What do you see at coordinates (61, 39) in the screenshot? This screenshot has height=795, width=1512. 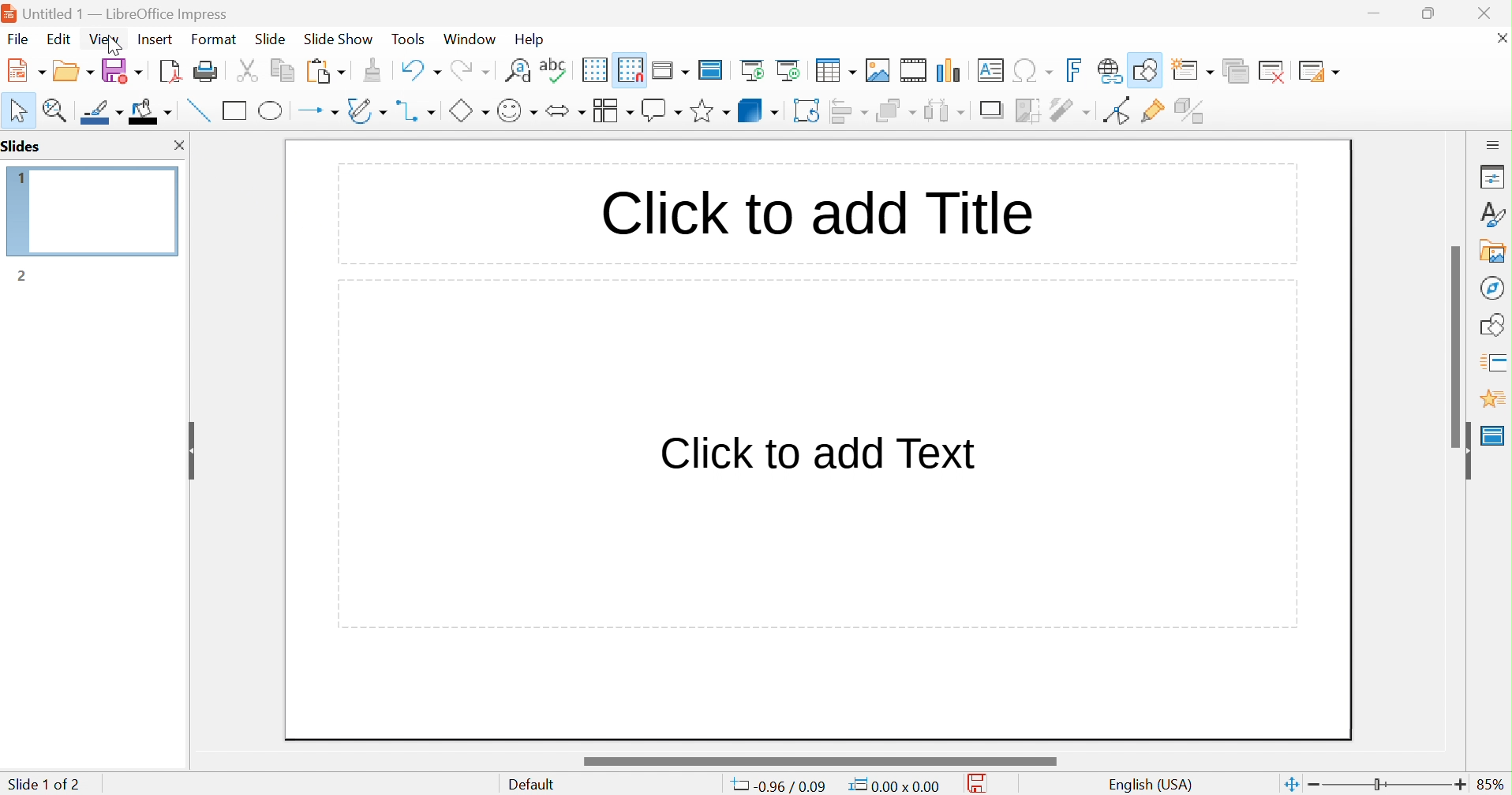 I see `edit` at bounding box center [61, 39].